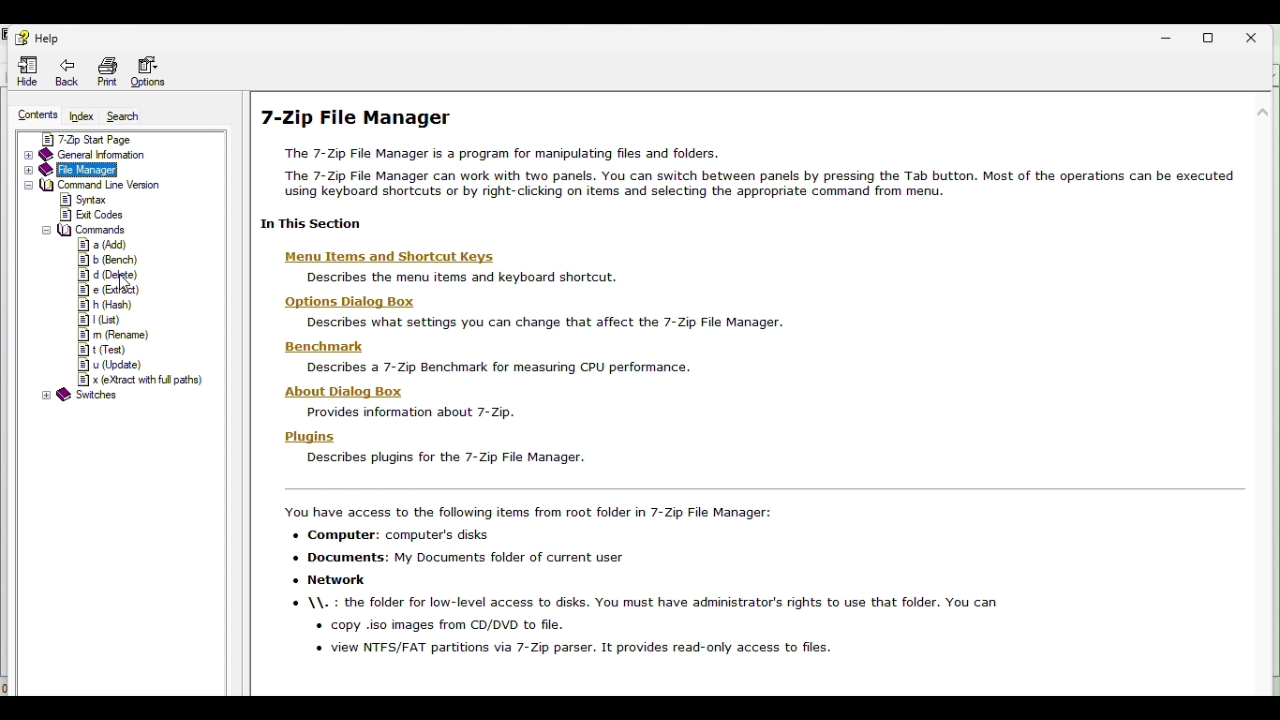  What do you see at coordinates (494, 368) in the screenshot?
I see `Describes a 7-Zip Benchmark for measuring CPU performance.` at bounding box center [494, 368].